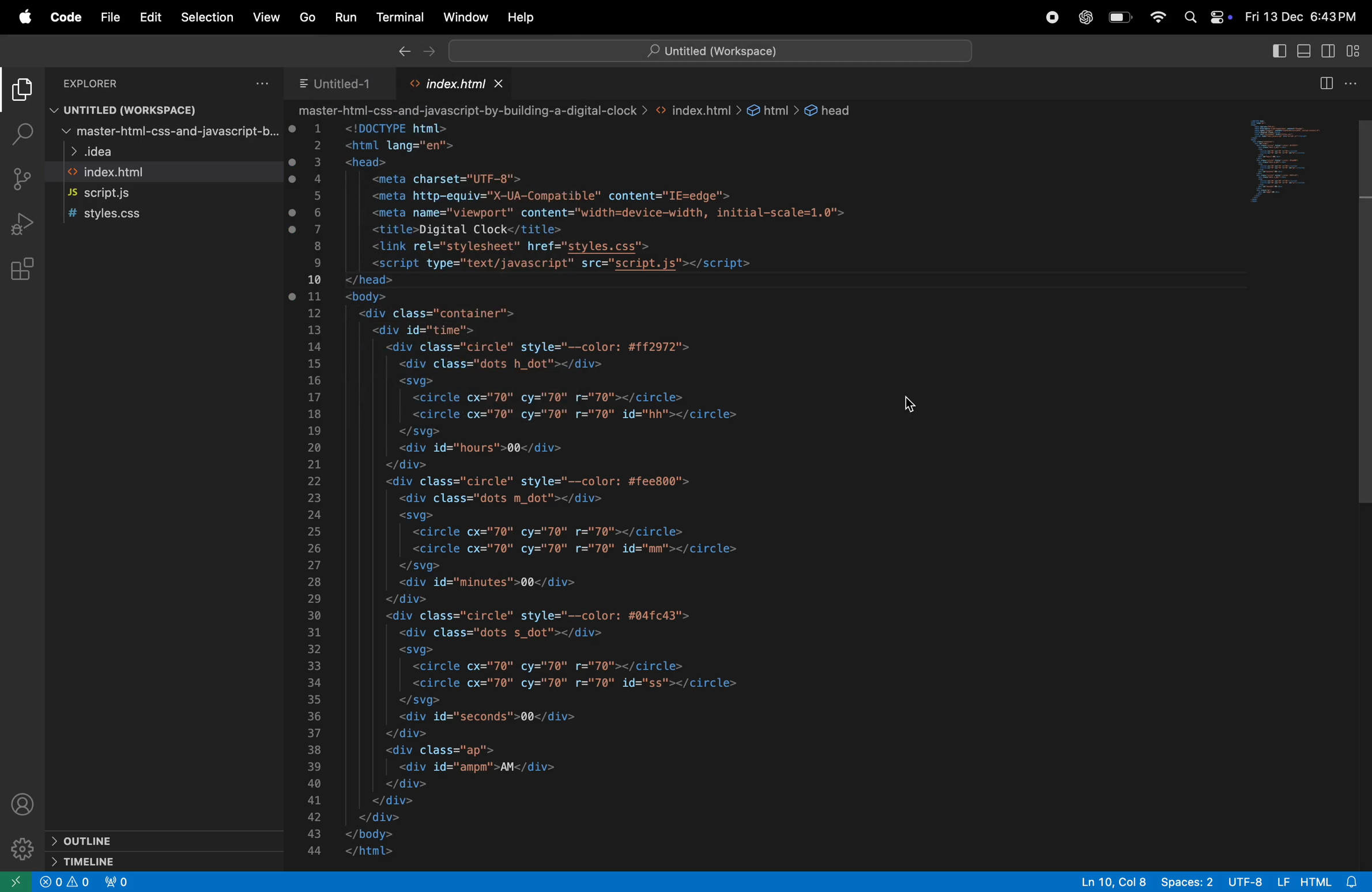  I want to click on back ward, so click(402, 51).